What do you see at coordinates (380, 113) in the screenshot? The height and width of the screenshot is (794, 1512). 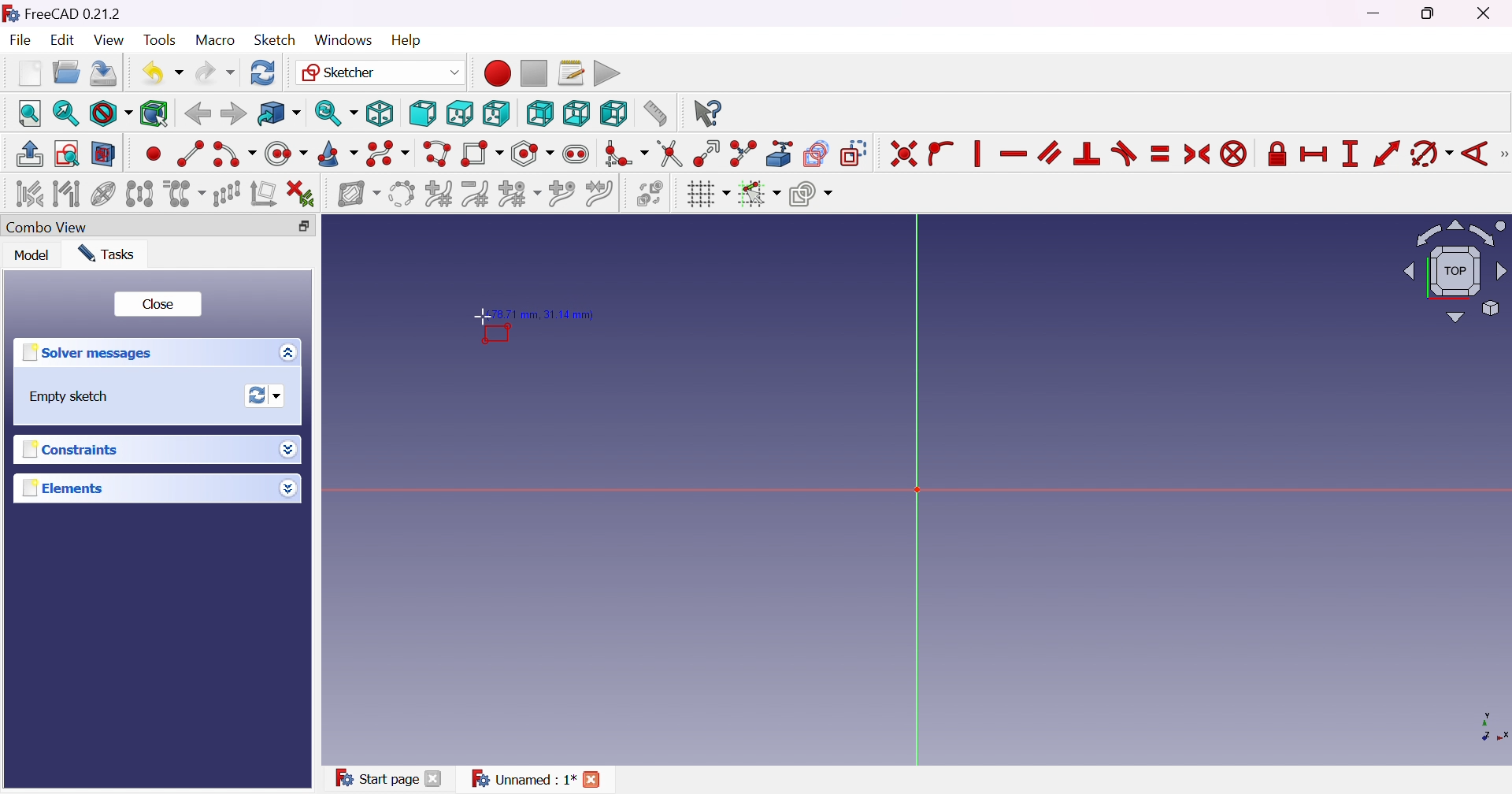 I see `Isometric` at bounding box center [380, 113].